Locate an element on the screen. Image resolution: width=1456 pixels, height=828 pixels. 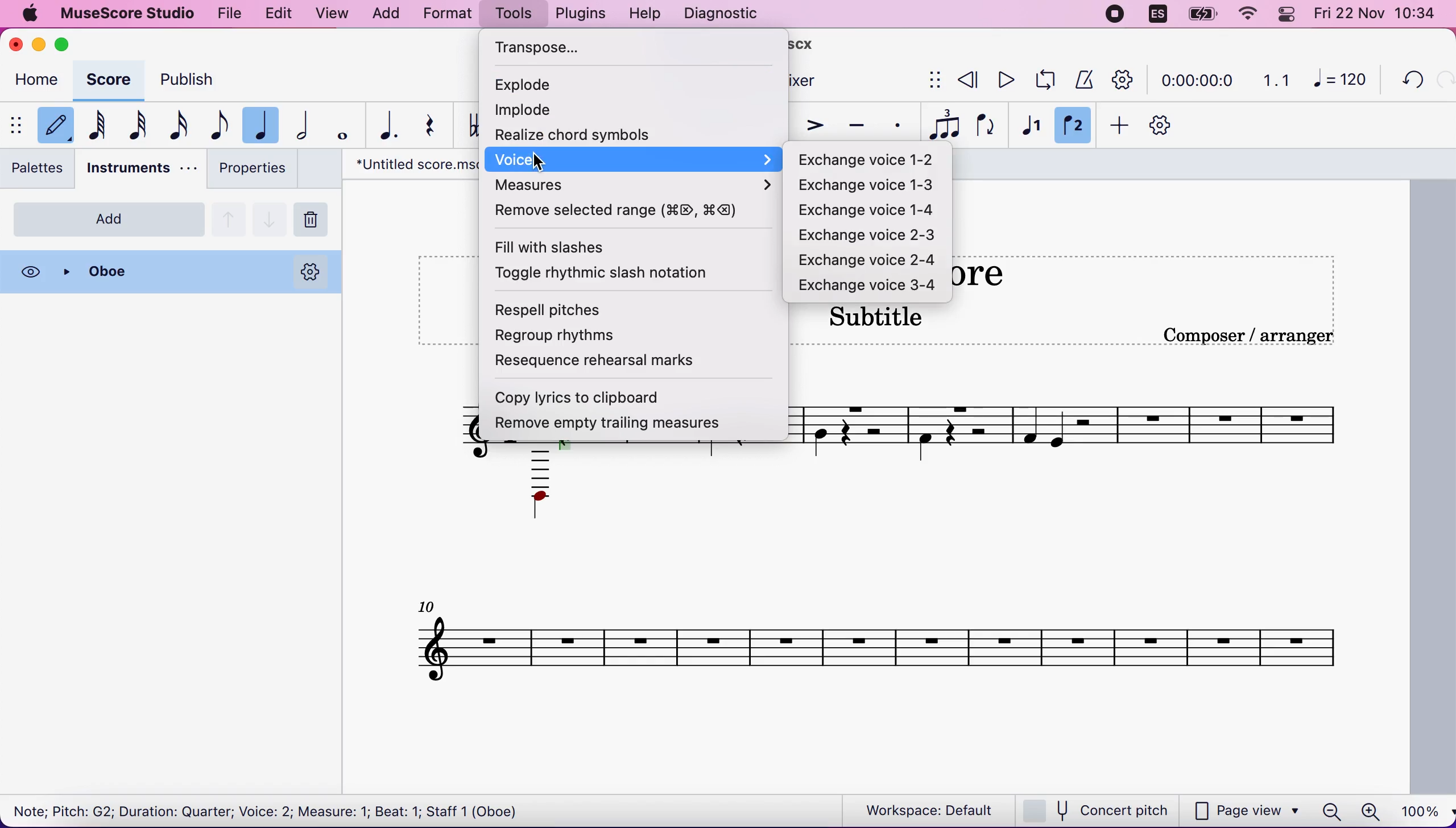
untitled scrore is located at coordinates (878, 608).